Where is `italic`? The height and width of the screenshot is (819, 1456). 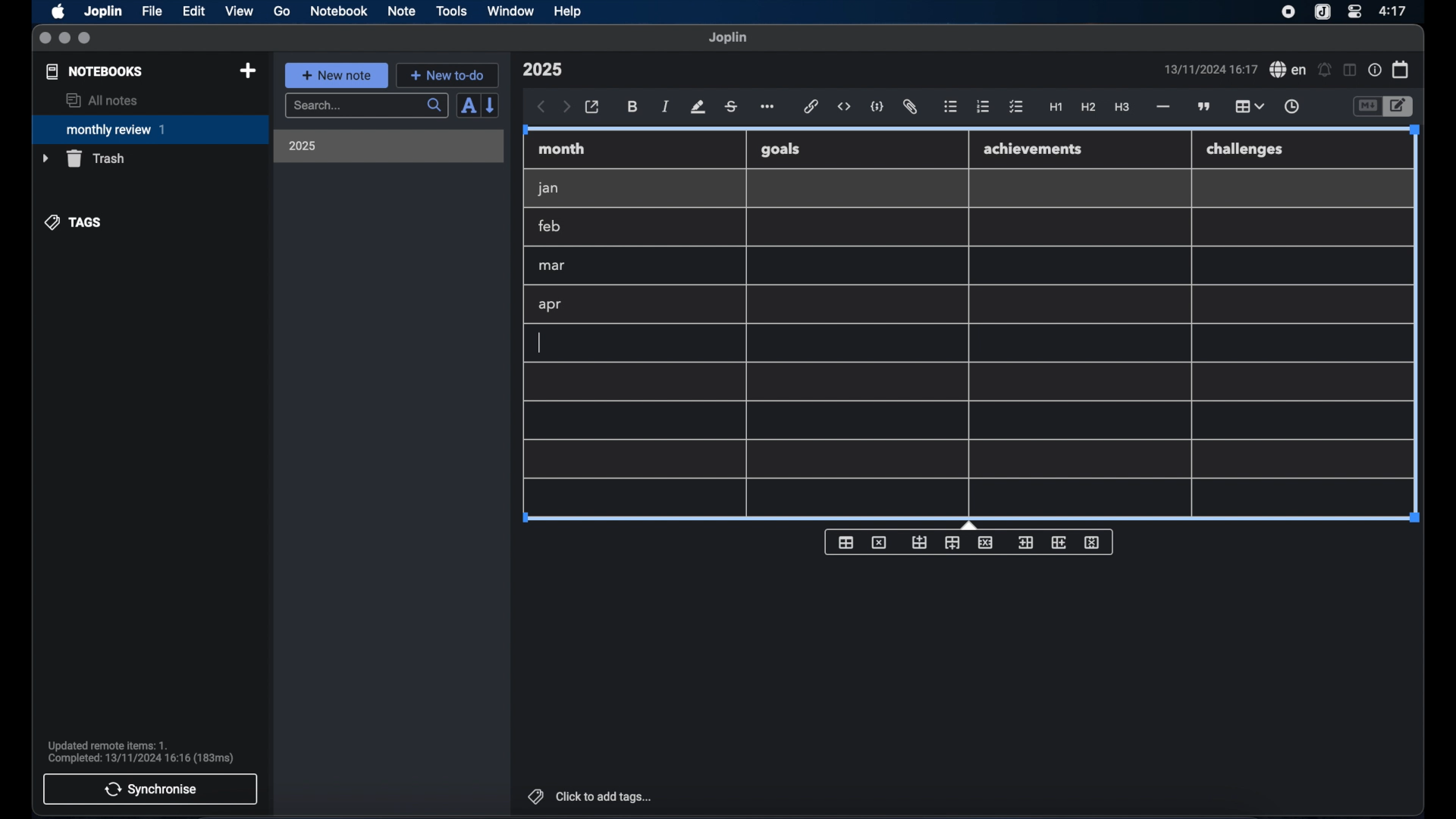
italic is located at coordinates (666, 106).